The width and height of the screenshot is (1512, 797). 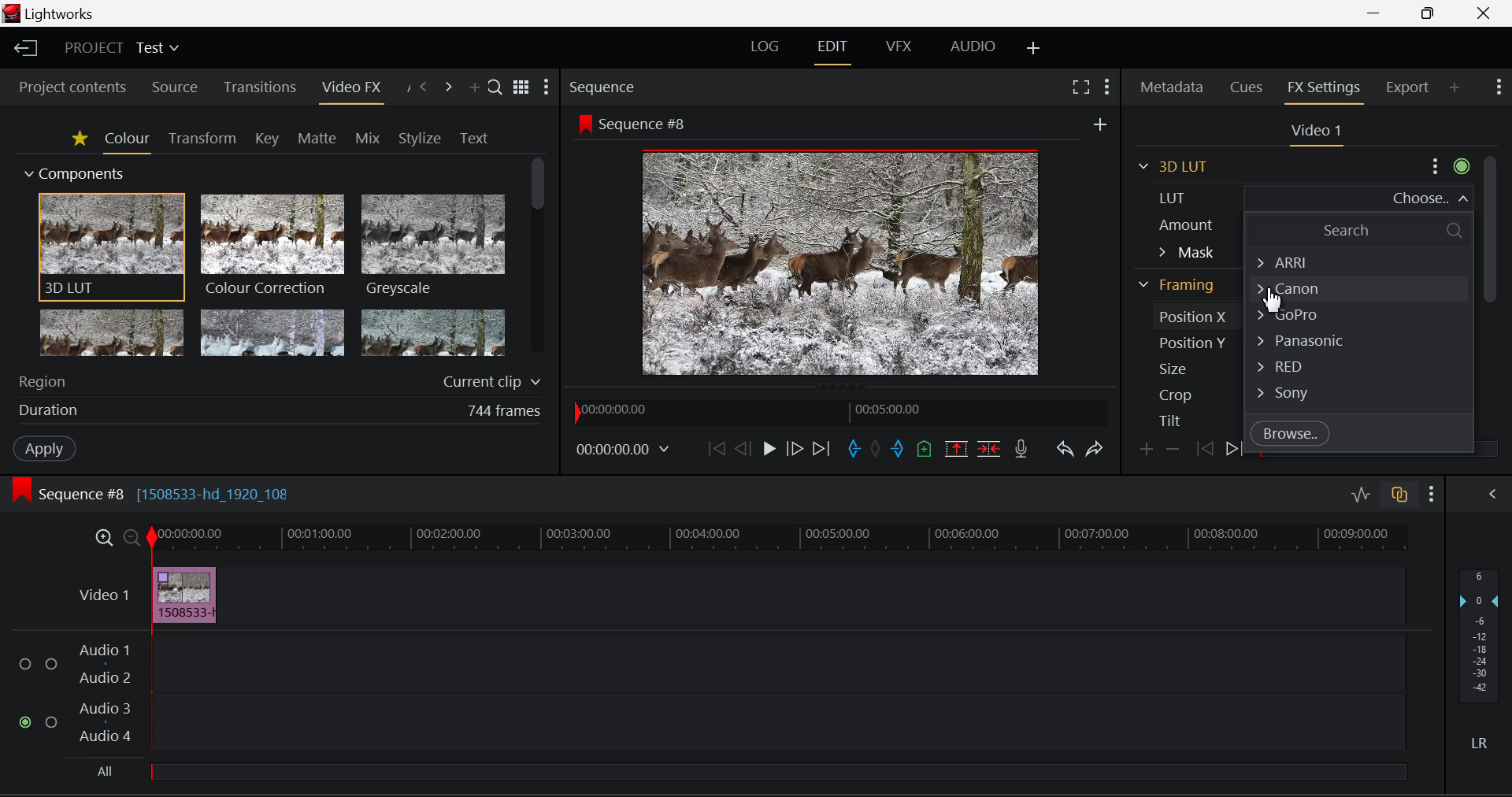 I want to click on Position X, so click(x=1195, y=315).